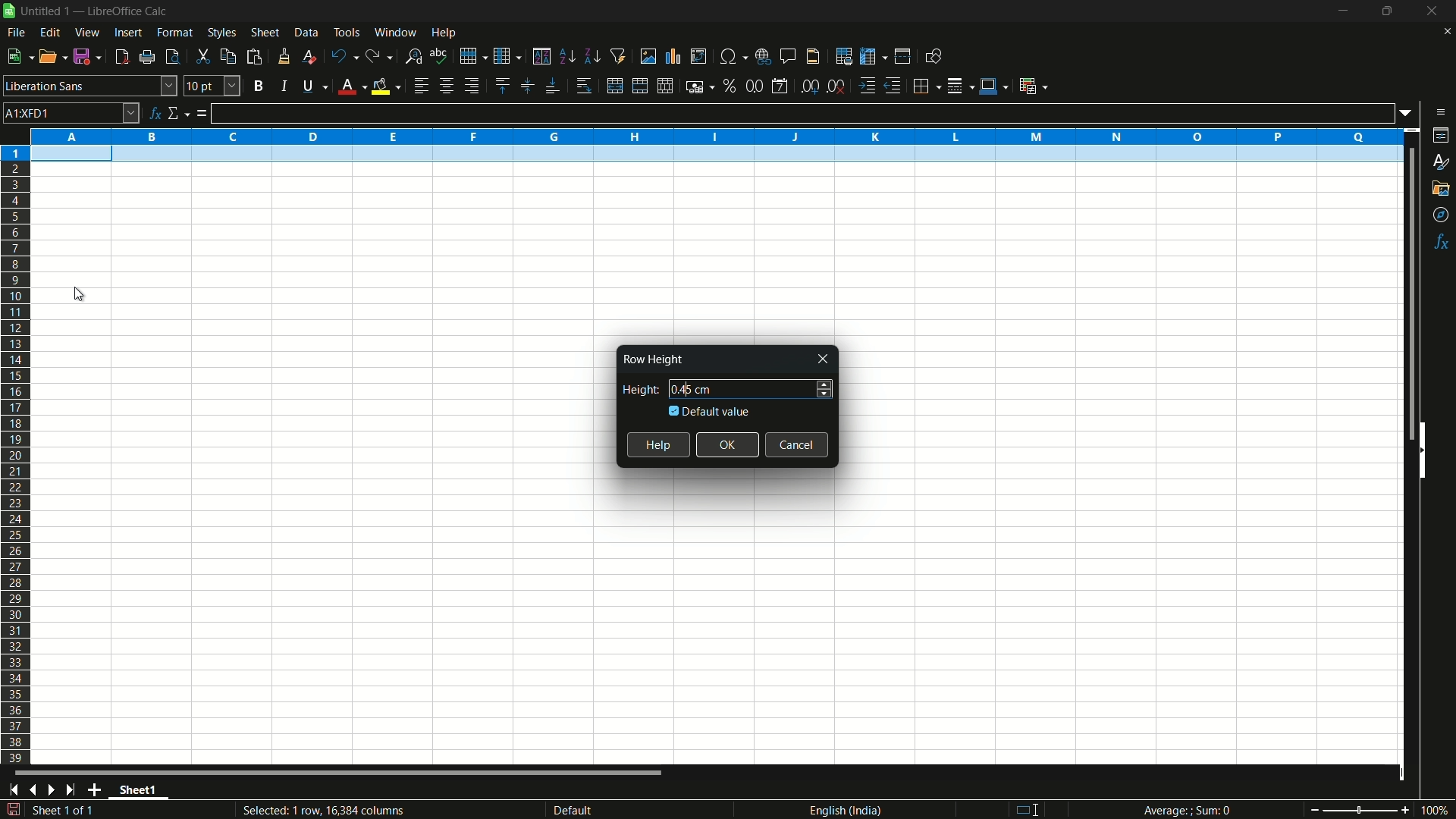 This screenshot has height=819, width=1456. What do you see at coordinates (651, 359) in the screenshot?
I see `Row Height` at bounding box center [651, 359].